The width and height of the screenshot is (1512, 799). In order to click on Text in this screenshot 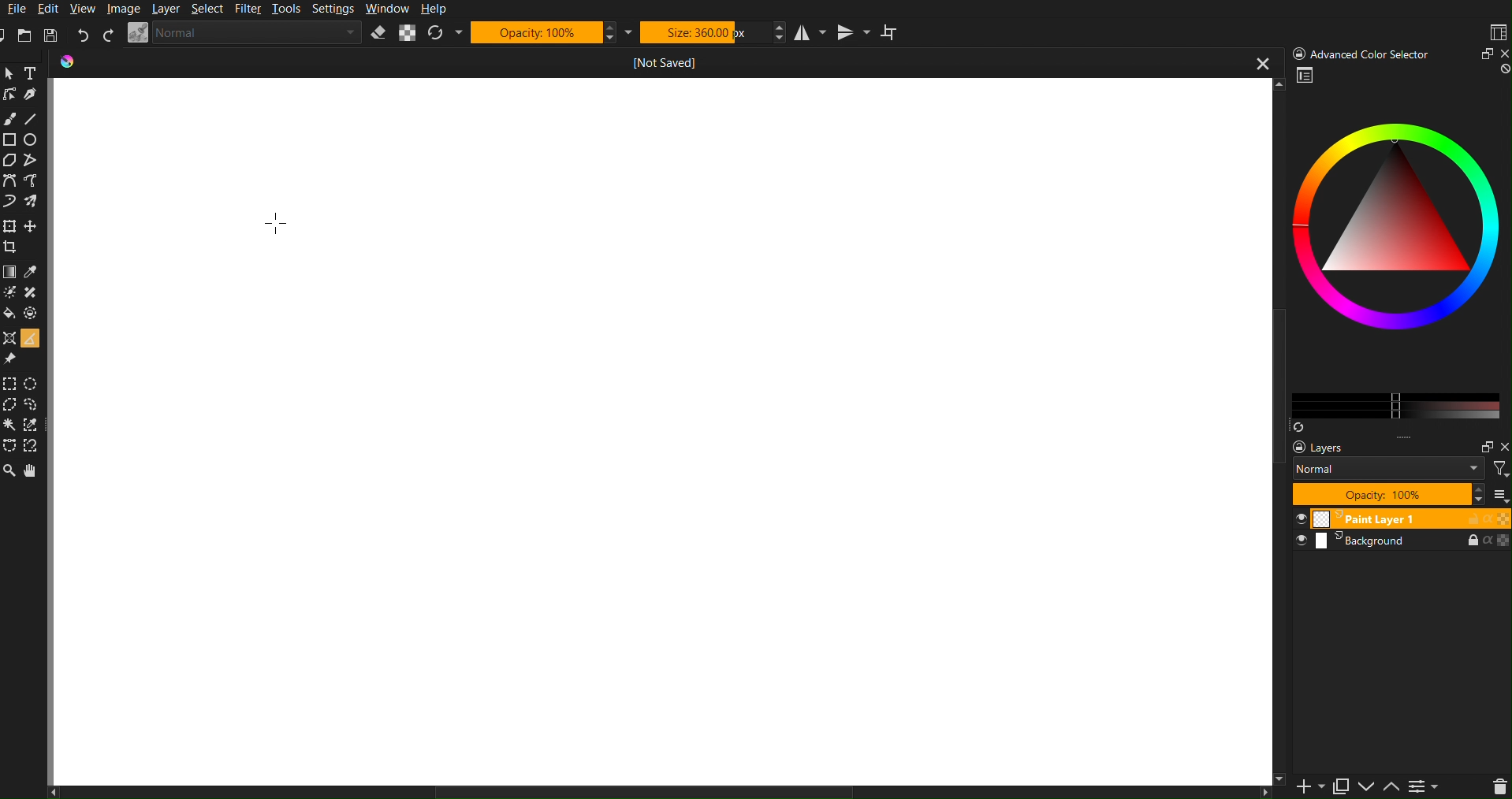, I will do `click(32, 72)`.